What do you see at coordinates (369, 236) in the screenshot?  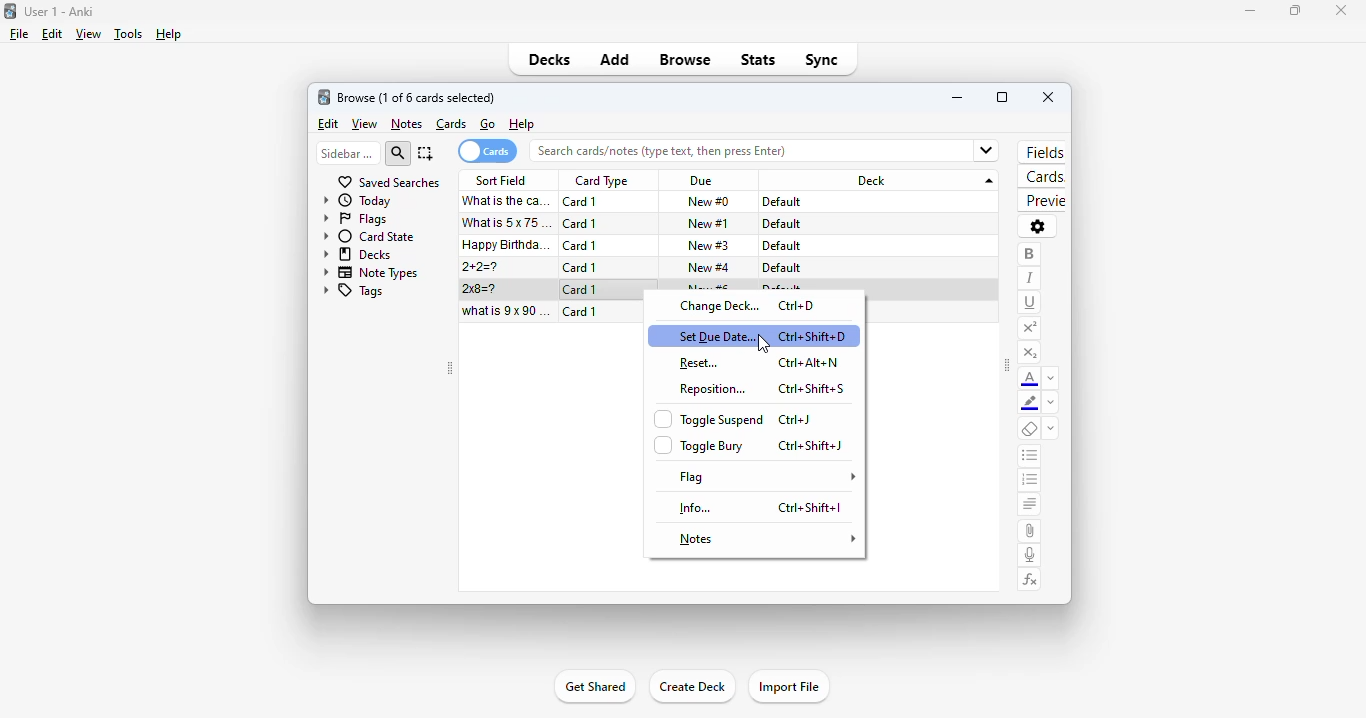 I see `card state` at bounding box center [369, 236].